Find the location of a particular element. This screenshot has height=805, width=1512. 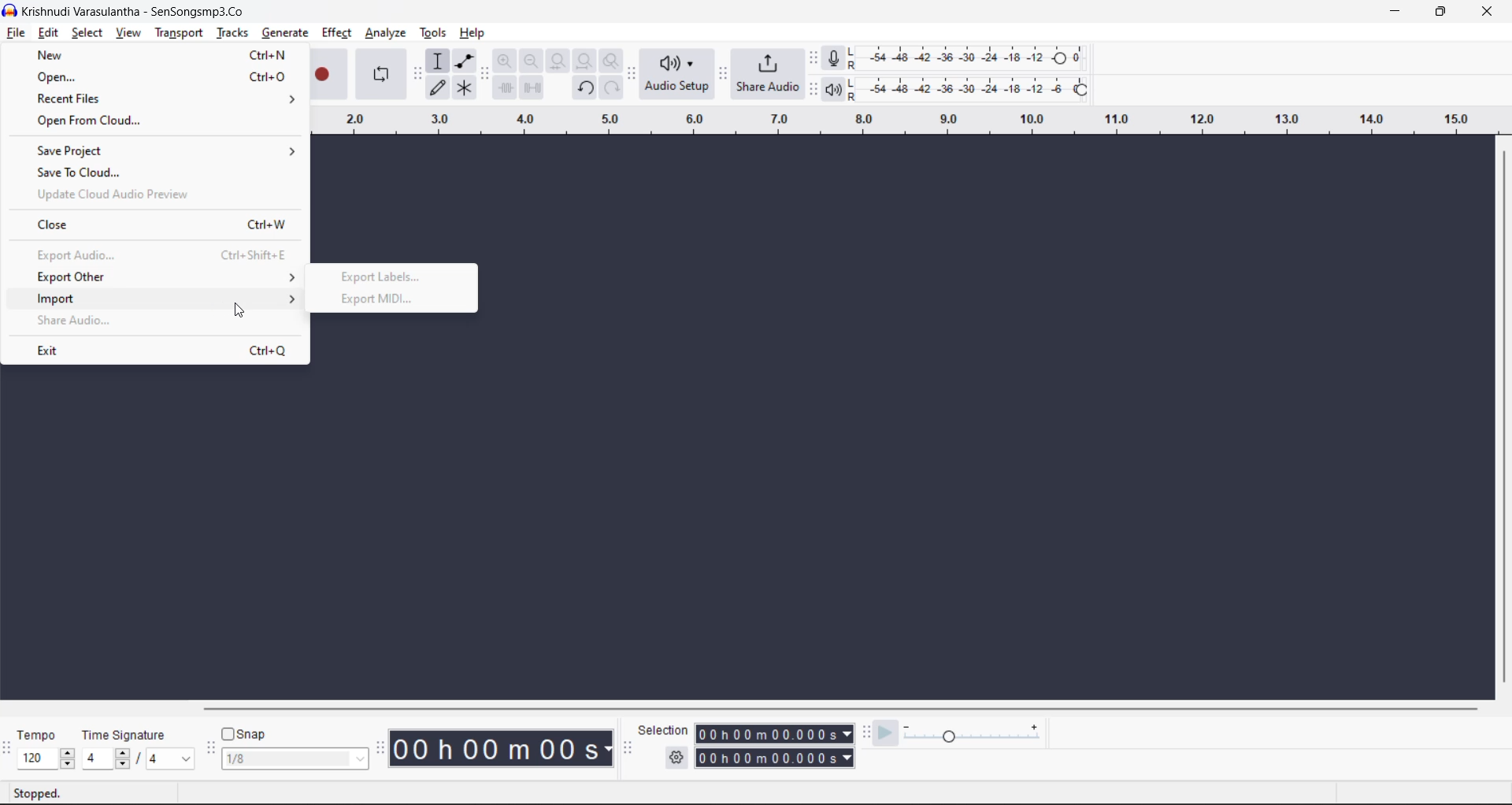

tempo is located at coordinates (41, 736).